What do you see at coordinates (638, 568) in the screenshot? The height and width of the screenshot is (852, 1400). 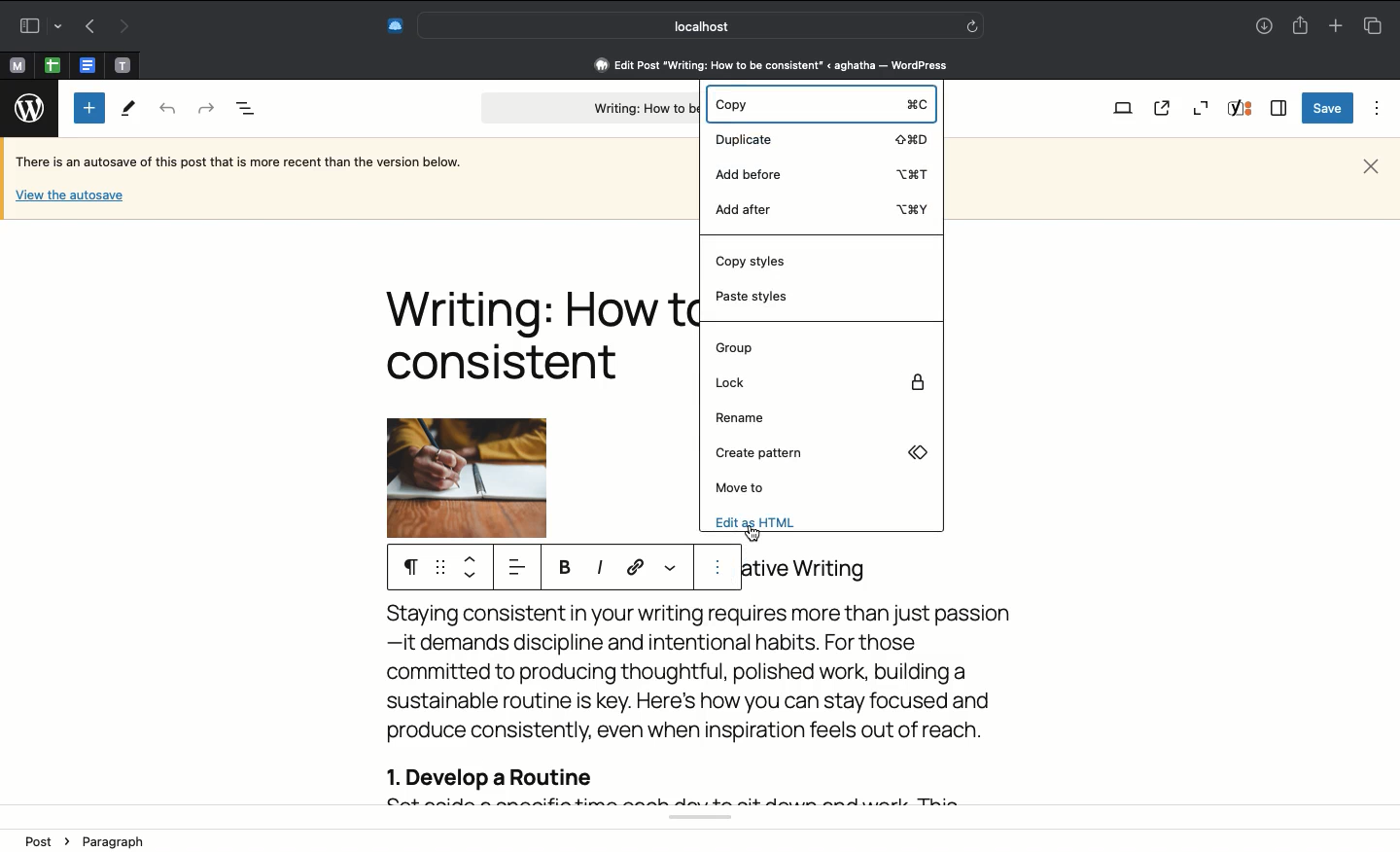 I see `Link` at bounding box center [638, 568].